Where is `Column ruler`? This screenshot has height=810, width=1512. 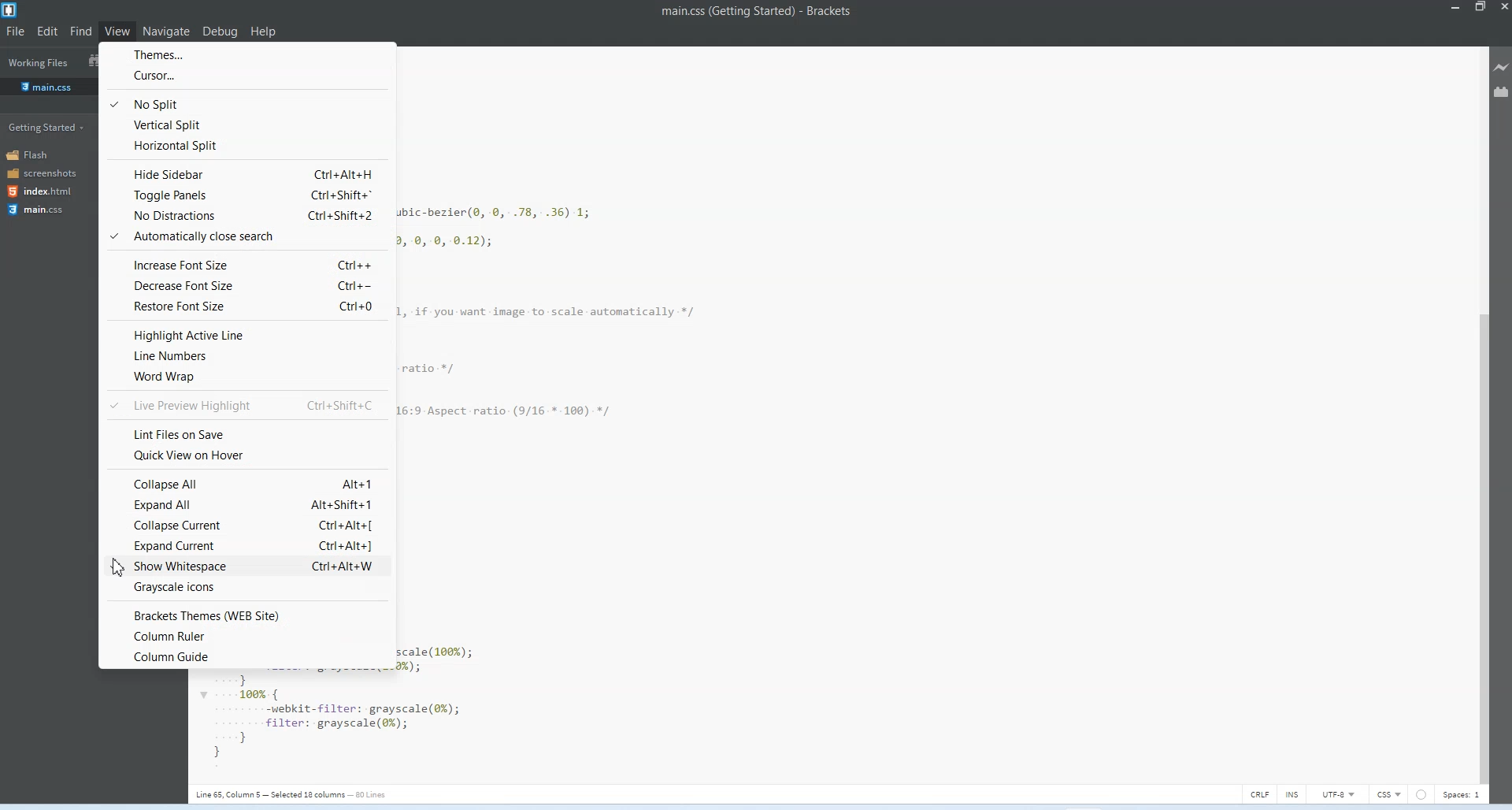 Column ruler is located at coordinates (247, 635).